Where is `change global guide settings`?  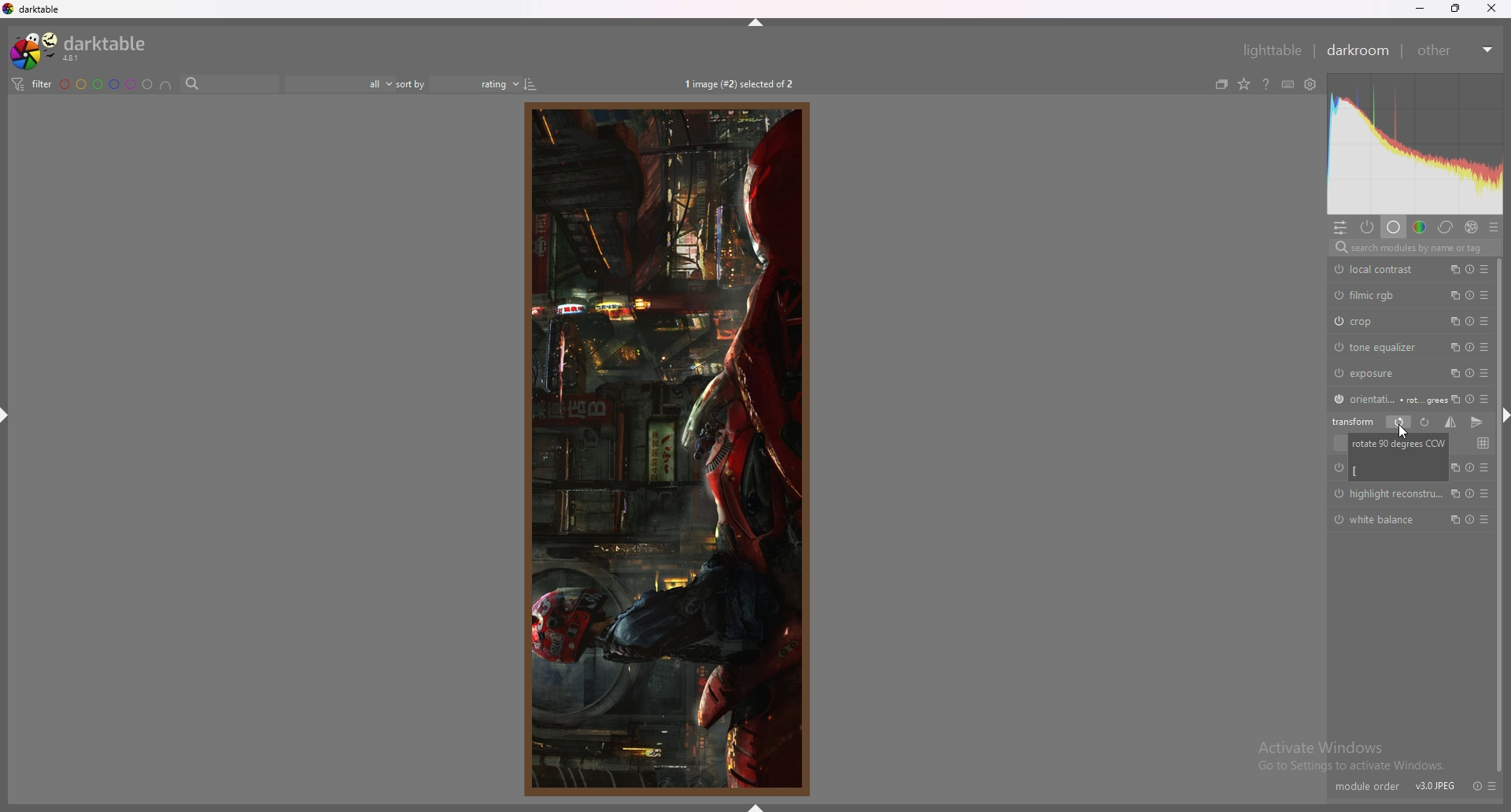 change global guide settings is located at coordinates (1483, 443).